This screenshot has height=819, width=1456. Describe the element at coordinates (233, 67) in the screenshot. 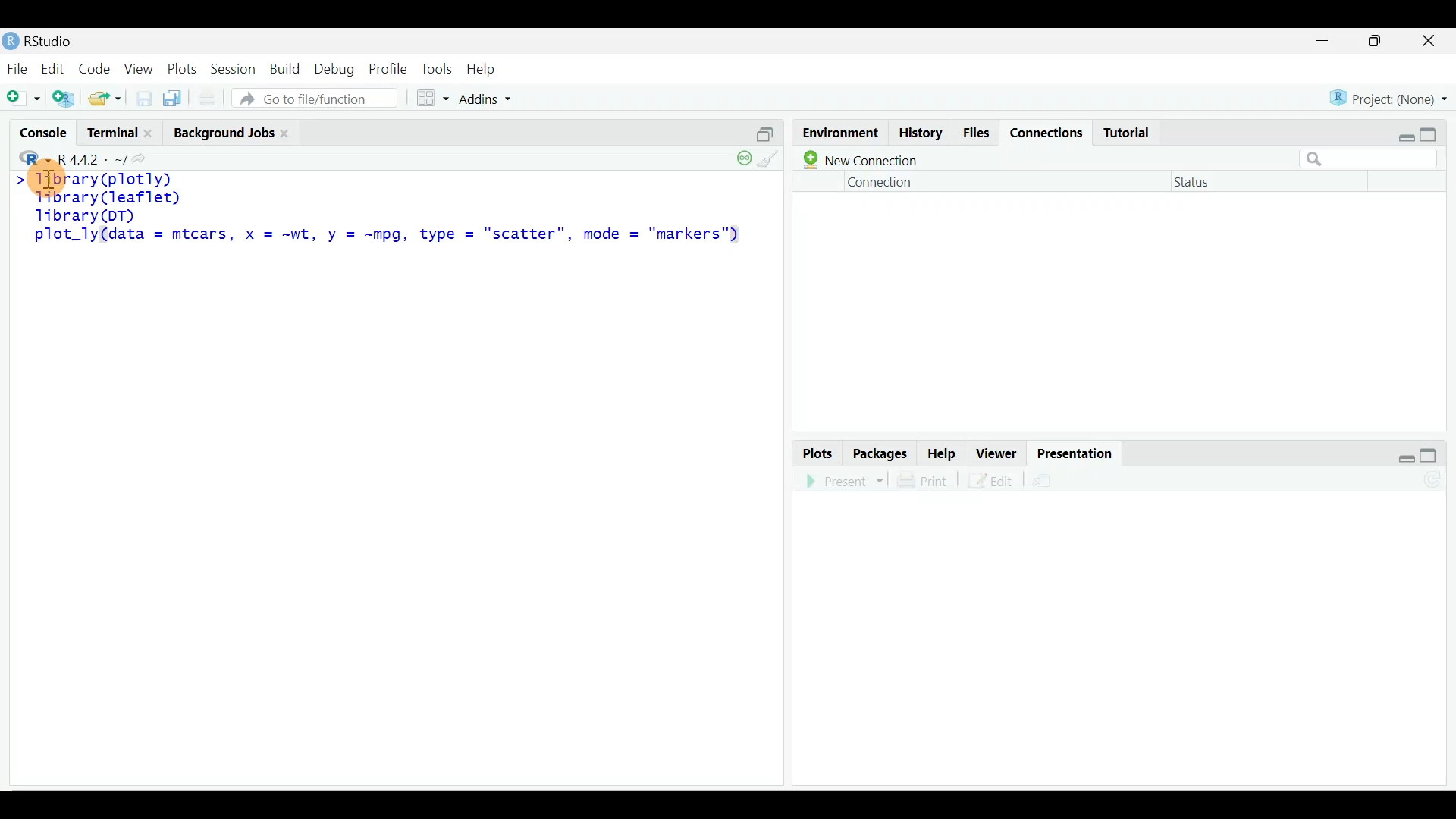

I see `Session` at that location.